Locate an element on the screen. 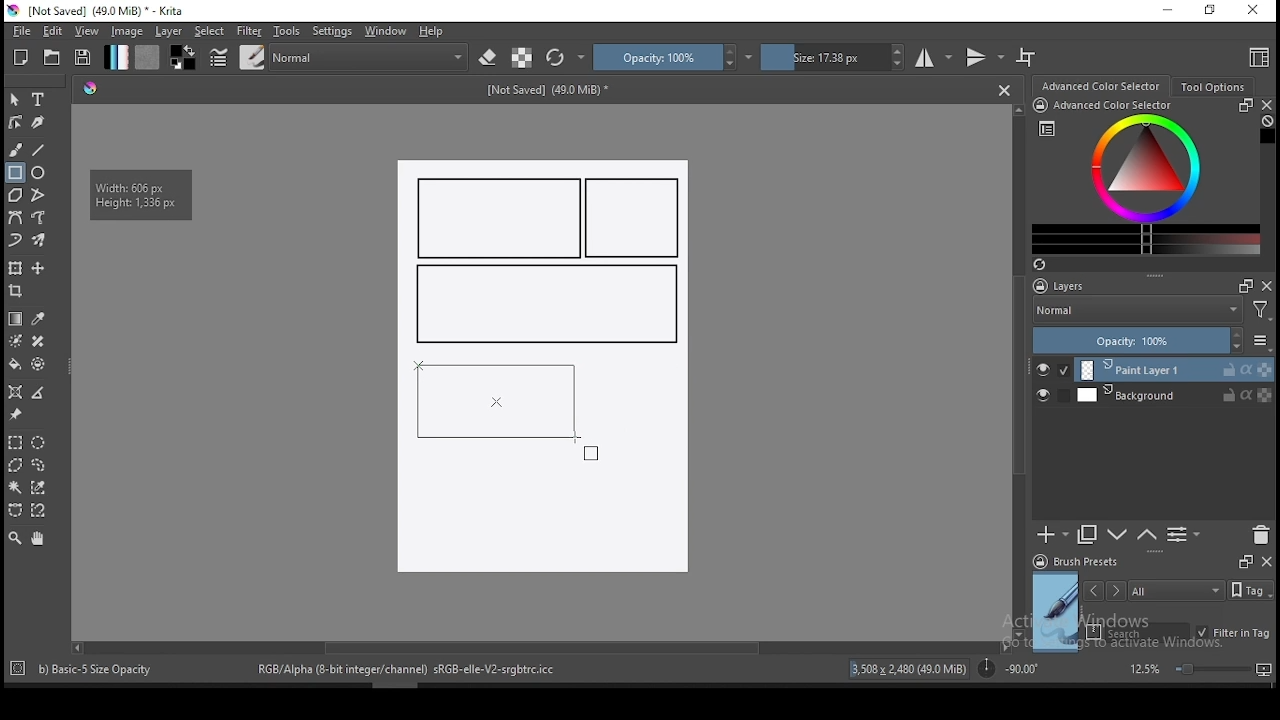 Image resolution: width=1280 pixels, height=720 pixels. calligraphy is located at coordinates (39, 121).